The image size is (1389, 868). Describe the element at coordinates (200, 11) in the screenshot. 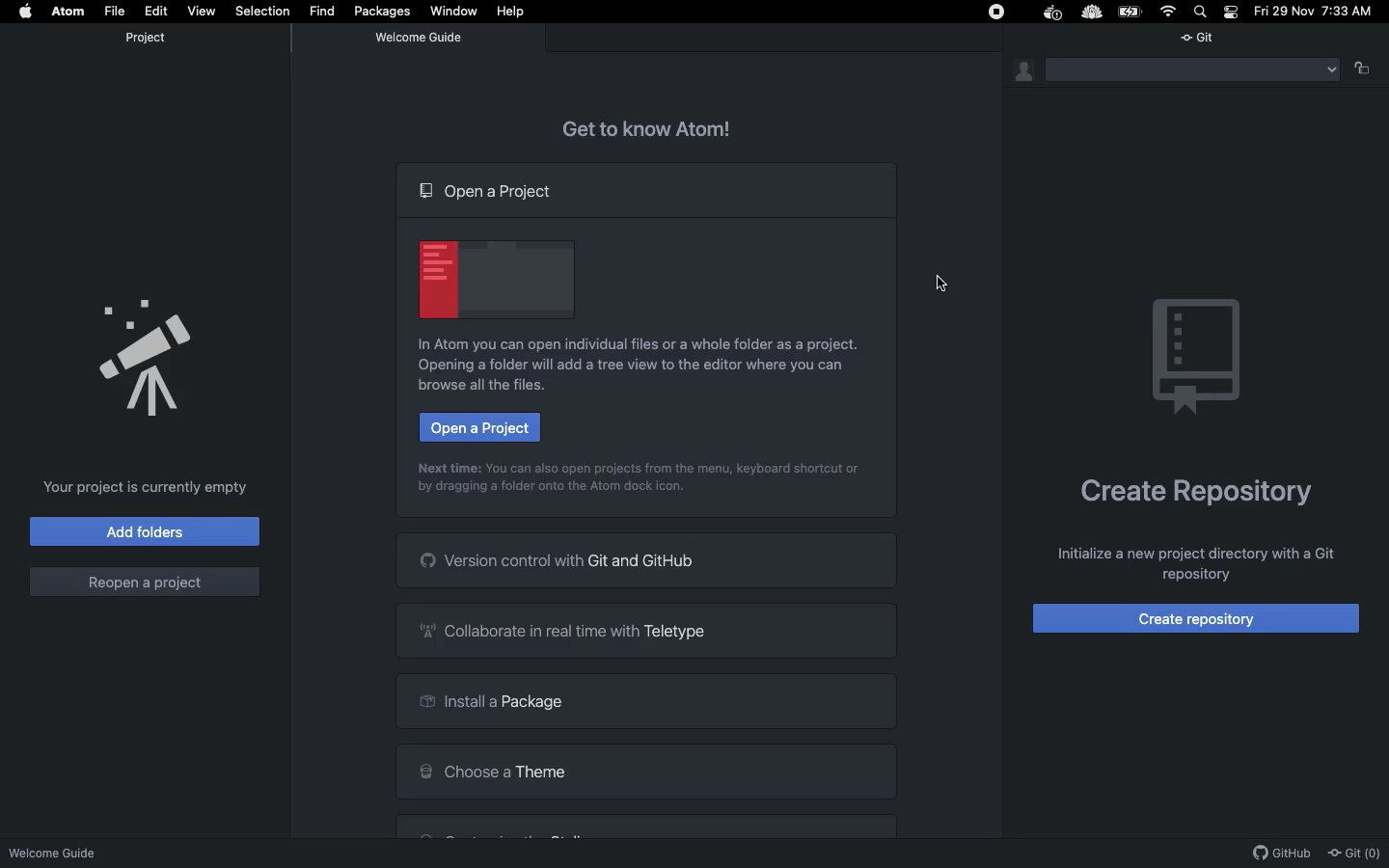

I see `View` at that location.